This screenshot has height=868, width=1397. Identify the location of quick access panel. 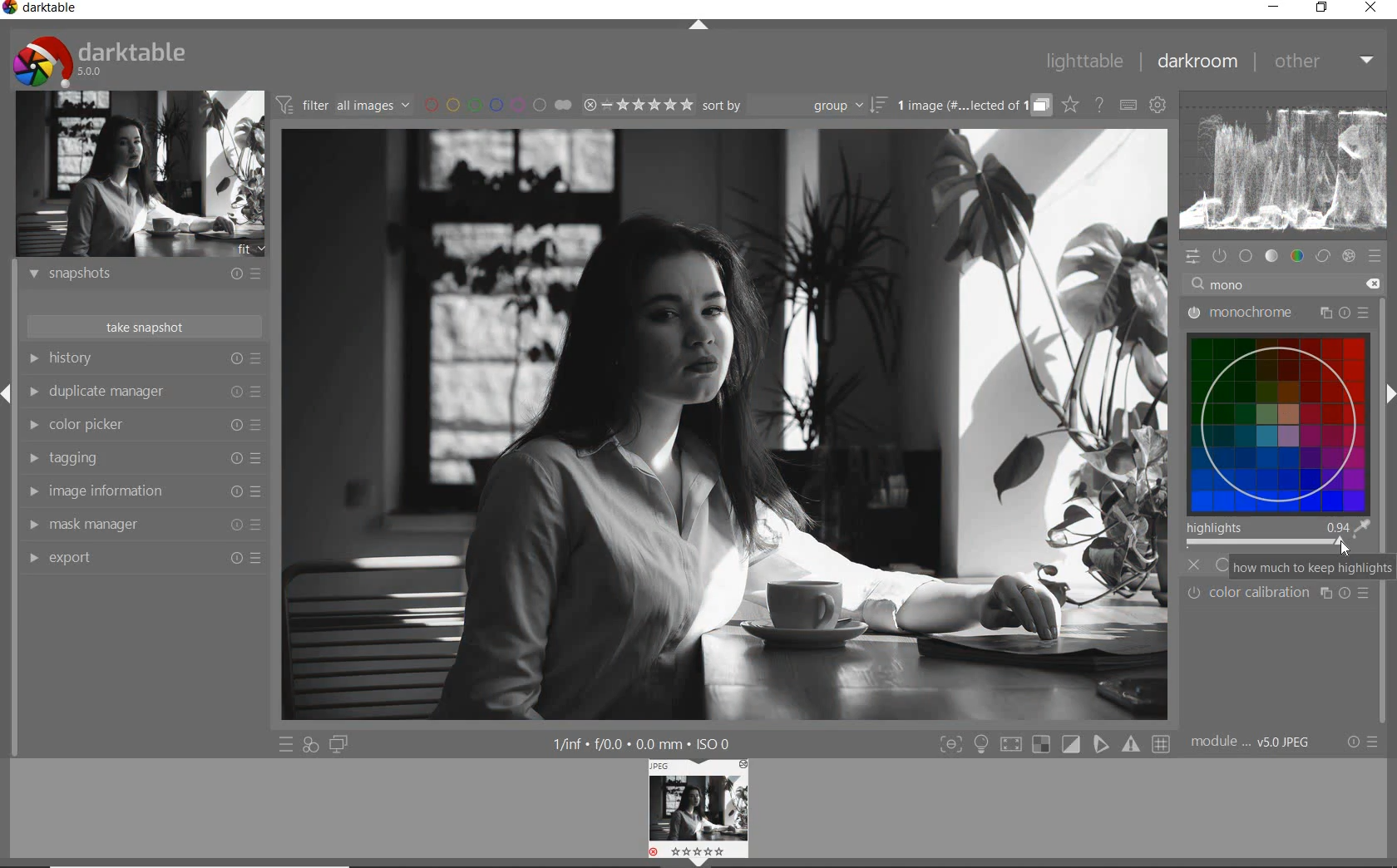
(1192, 257).